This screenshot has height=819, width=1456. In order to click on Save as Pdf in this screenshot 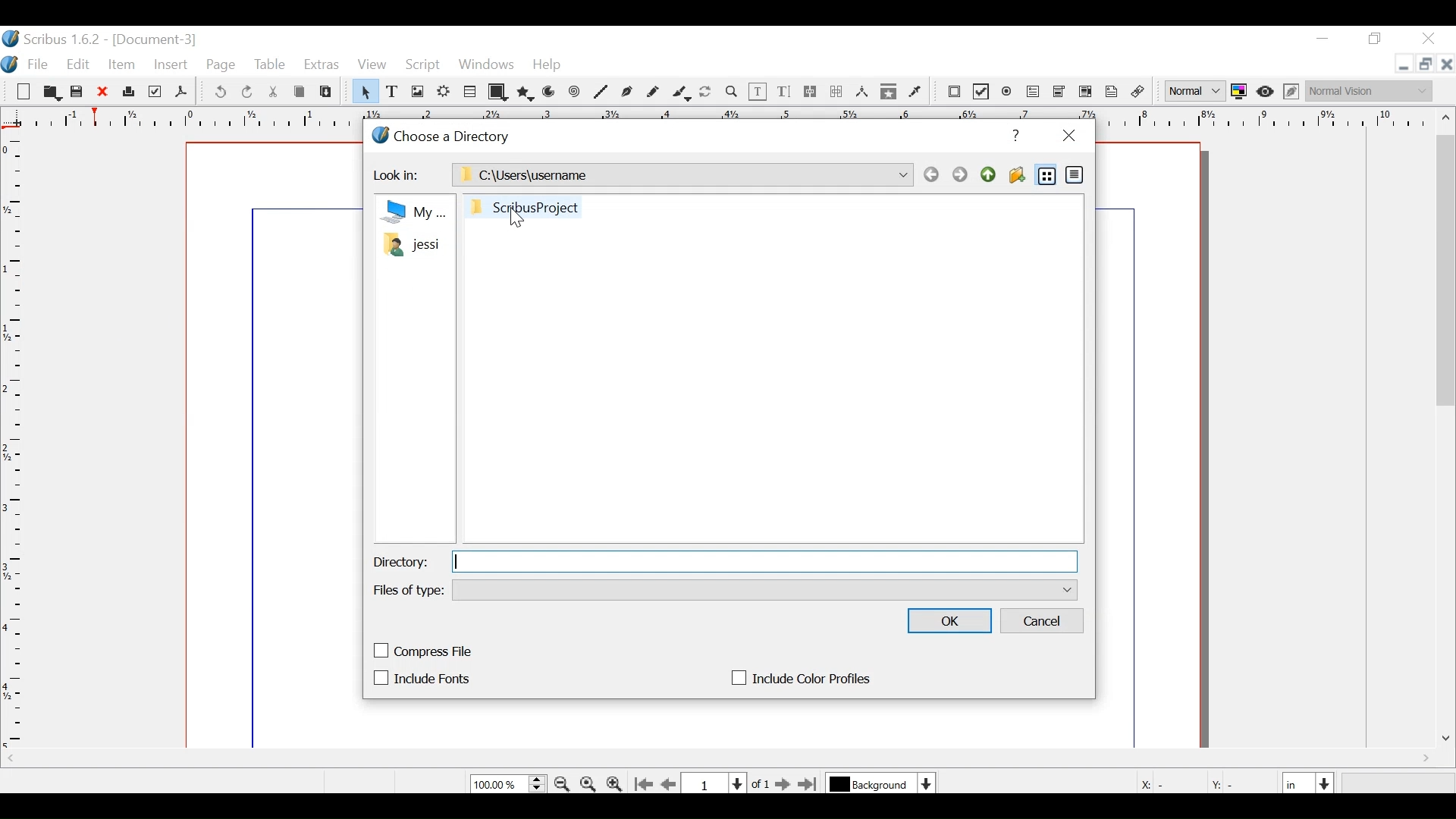, I will do `click(181, 93)`.